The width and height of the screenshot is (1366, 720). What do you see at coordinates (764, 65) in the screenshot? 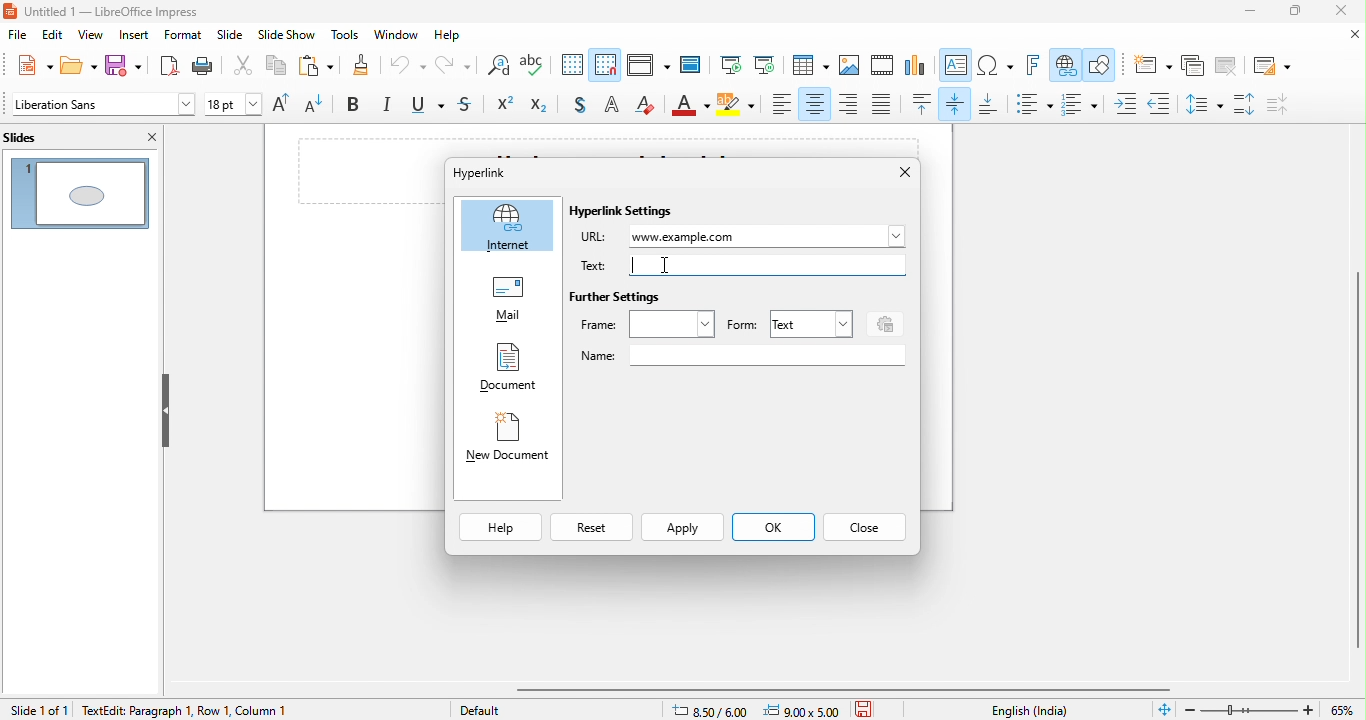
I see `start from current slide` at bounding box center [764, 65].